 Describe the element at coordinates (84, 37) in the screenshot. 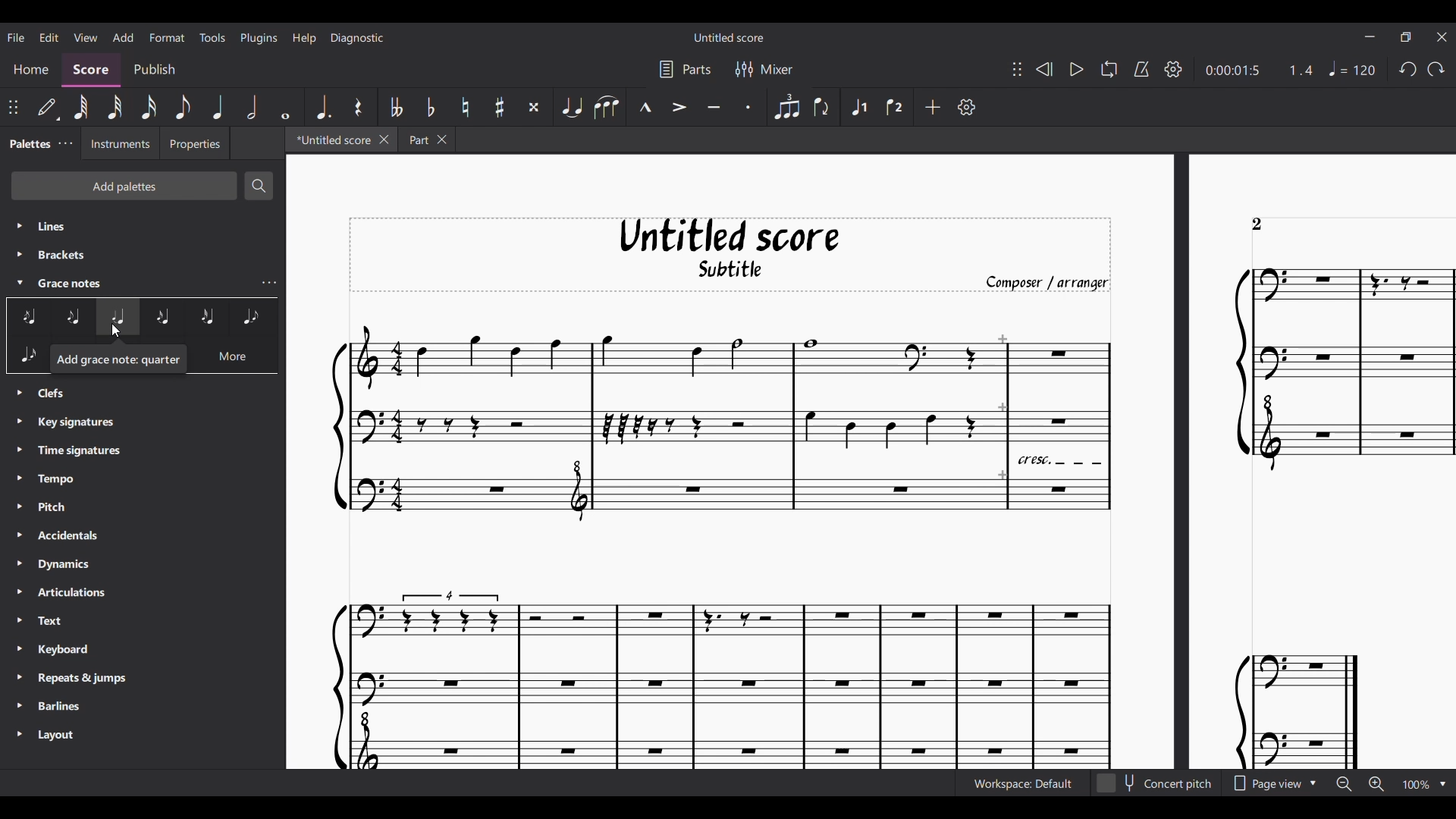

I see `View menu` at that location.